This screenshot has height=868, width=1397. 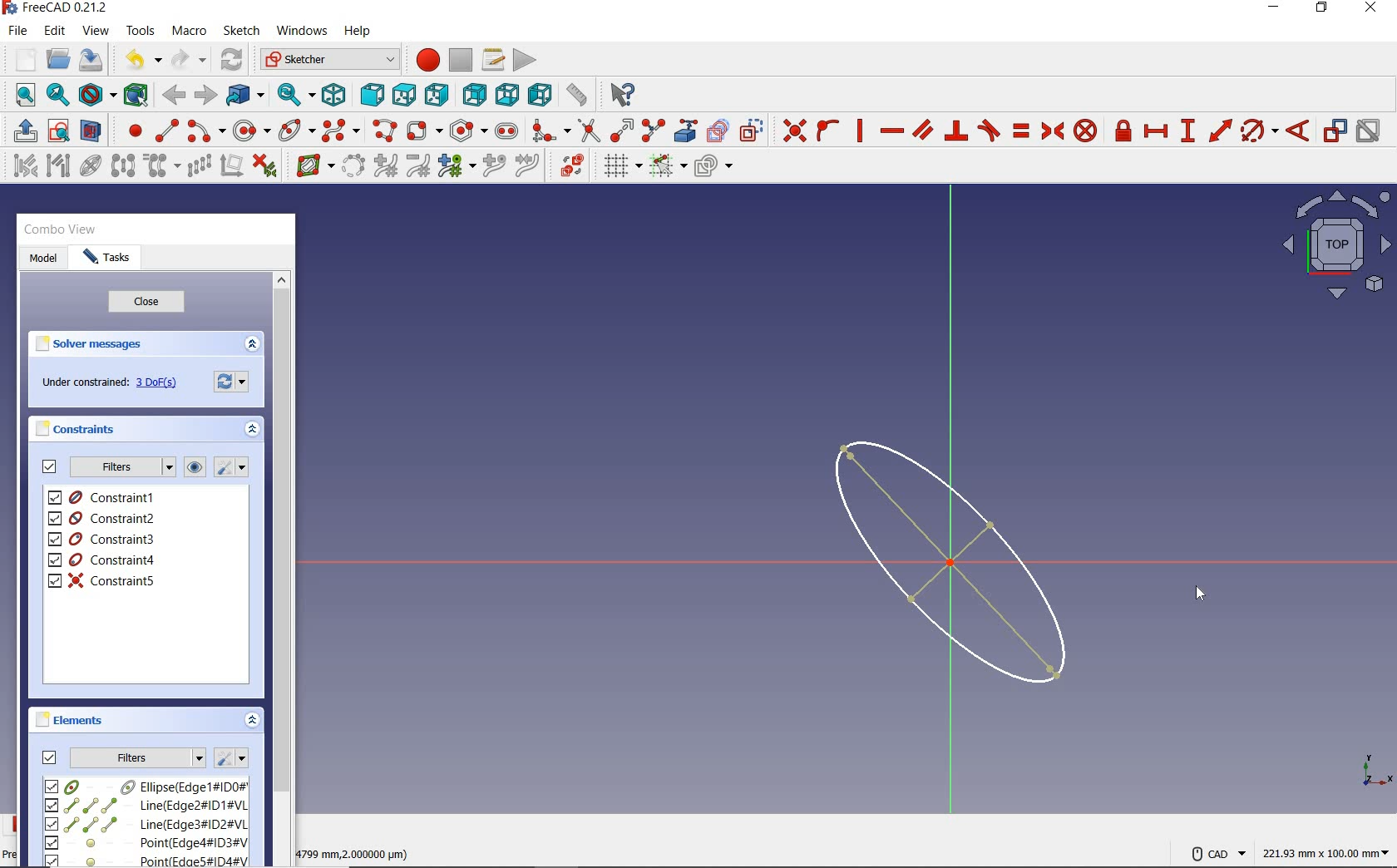 I want to click on isometric, so click(x=333, y=94).